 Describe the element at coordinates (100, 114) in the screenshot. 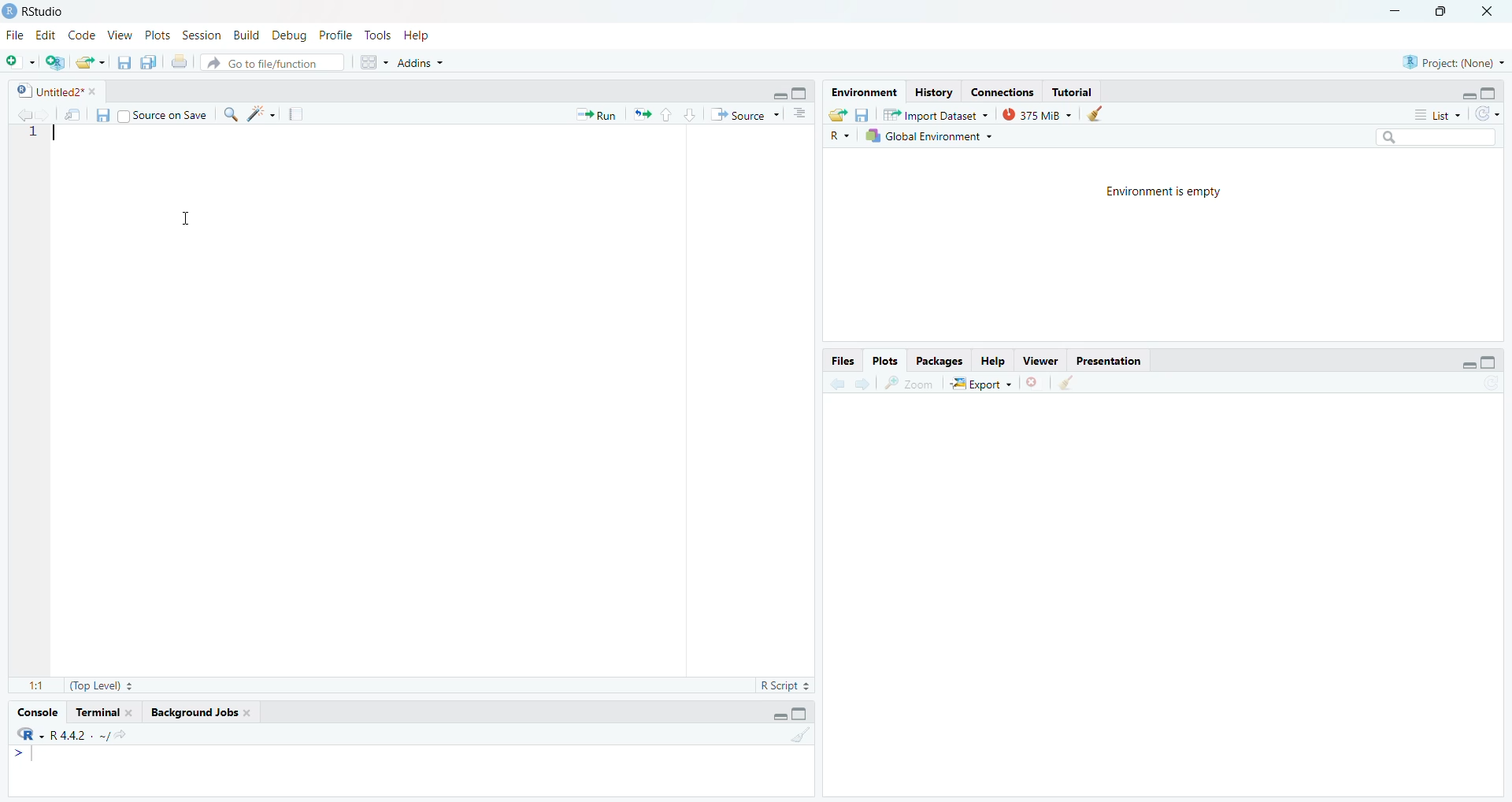

I see `save current document` at that location.